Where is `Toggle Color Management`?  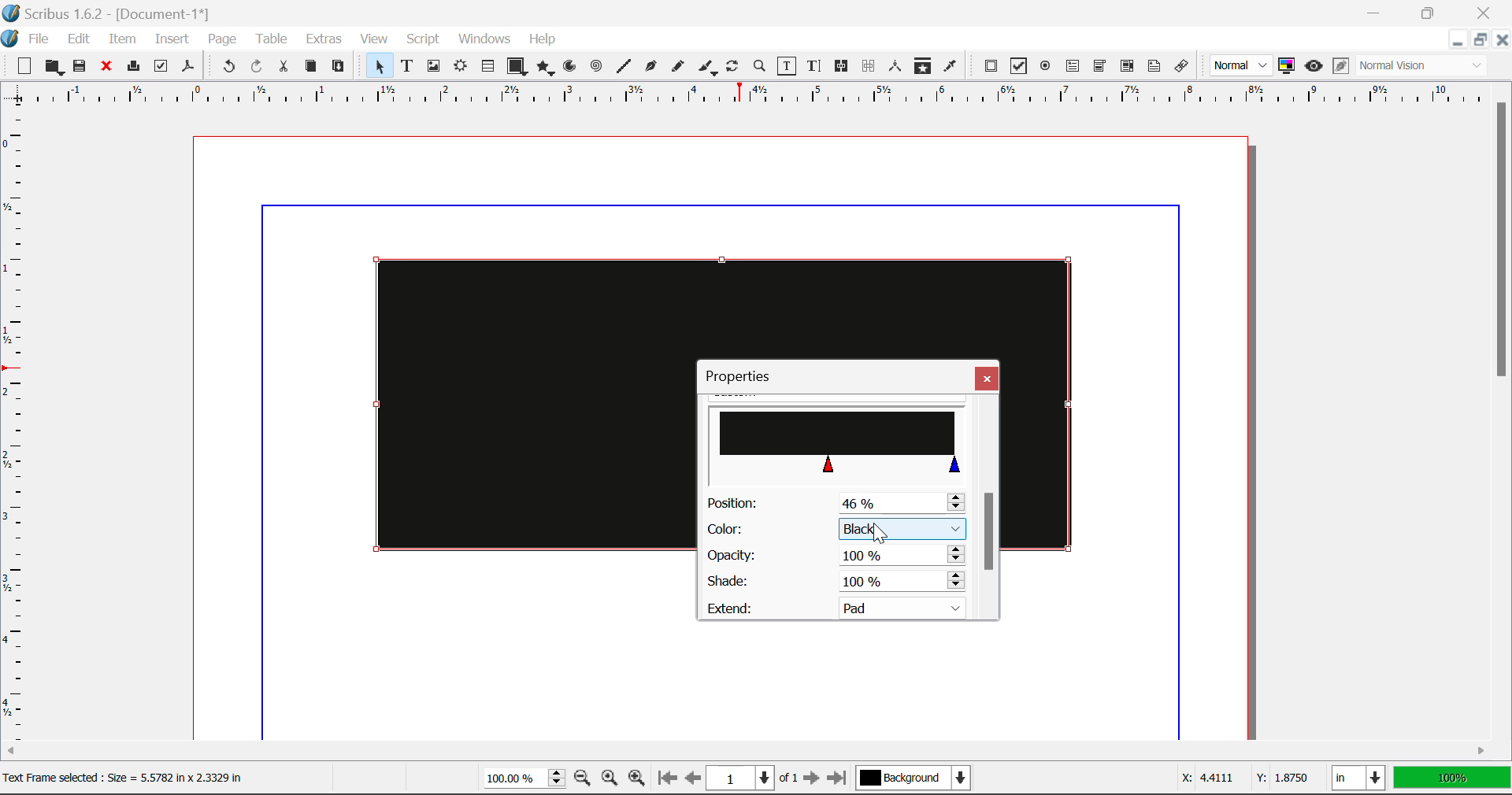 Toggle Color Management is located at coordinates (1287, 66).